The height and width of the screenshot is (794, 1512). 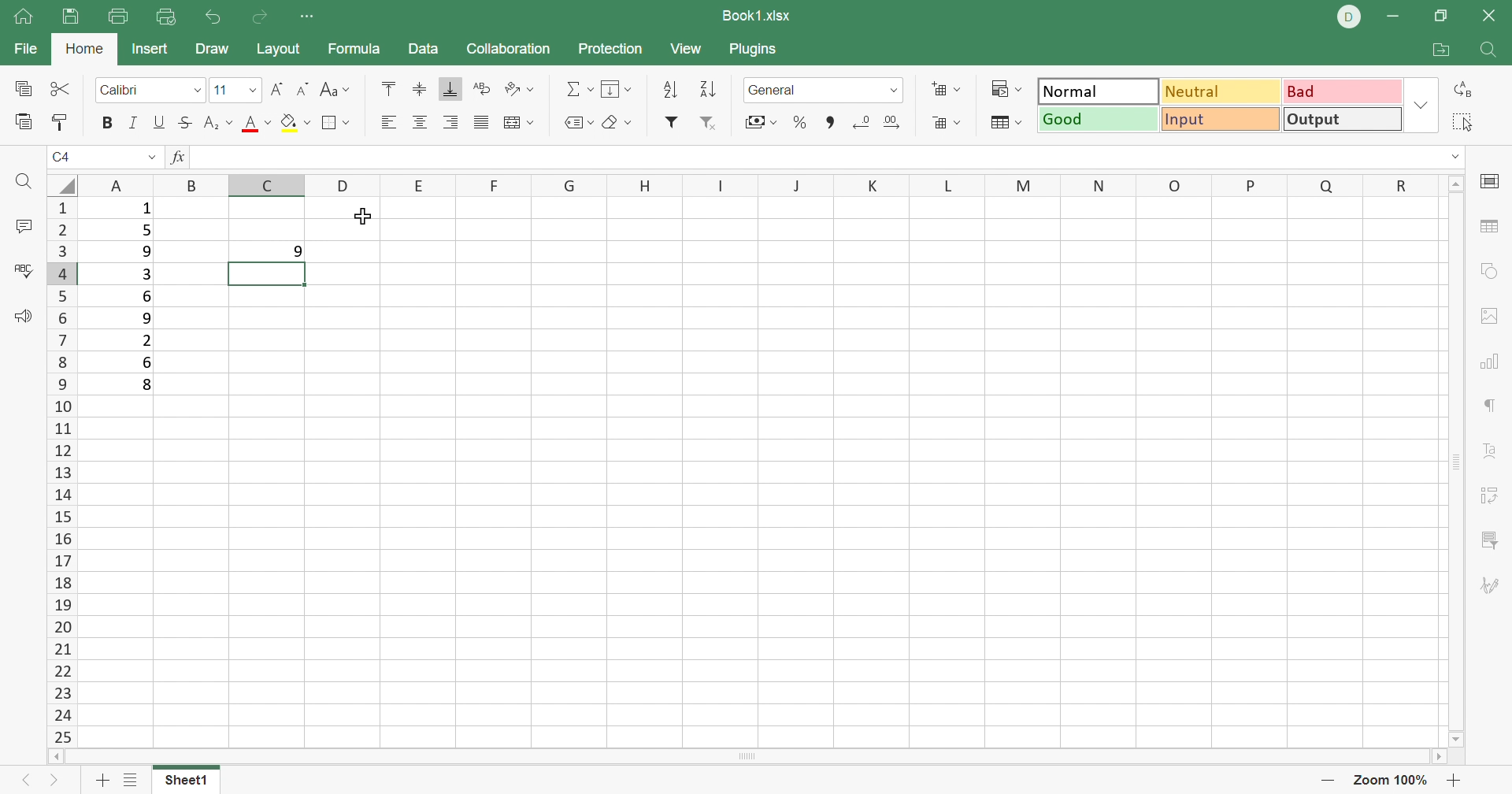 I want to click on File, so click(x=22, y=50).